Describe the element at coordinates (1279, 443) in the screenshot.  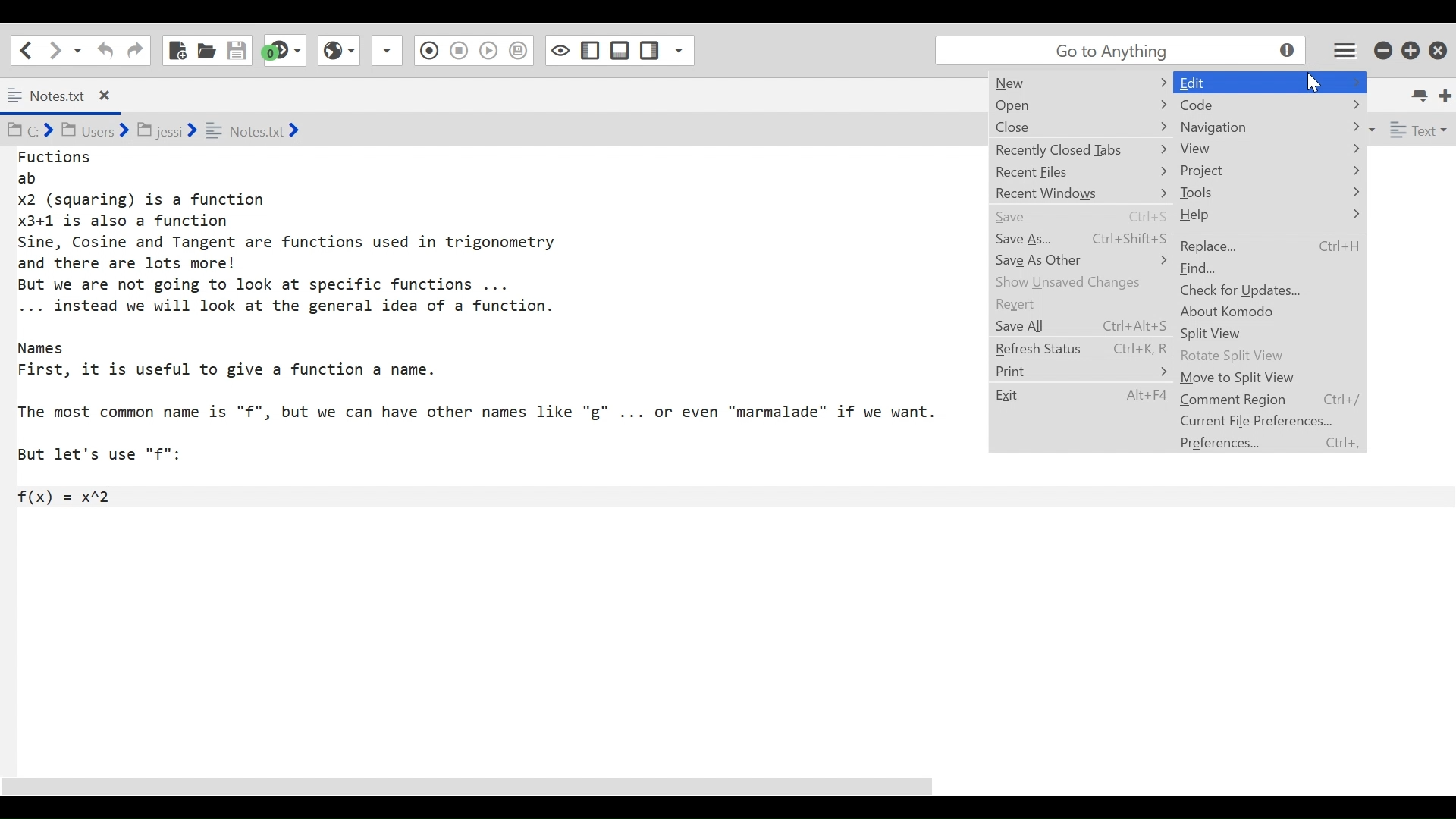
I see `Preferences... Ctrl+,` at that location.